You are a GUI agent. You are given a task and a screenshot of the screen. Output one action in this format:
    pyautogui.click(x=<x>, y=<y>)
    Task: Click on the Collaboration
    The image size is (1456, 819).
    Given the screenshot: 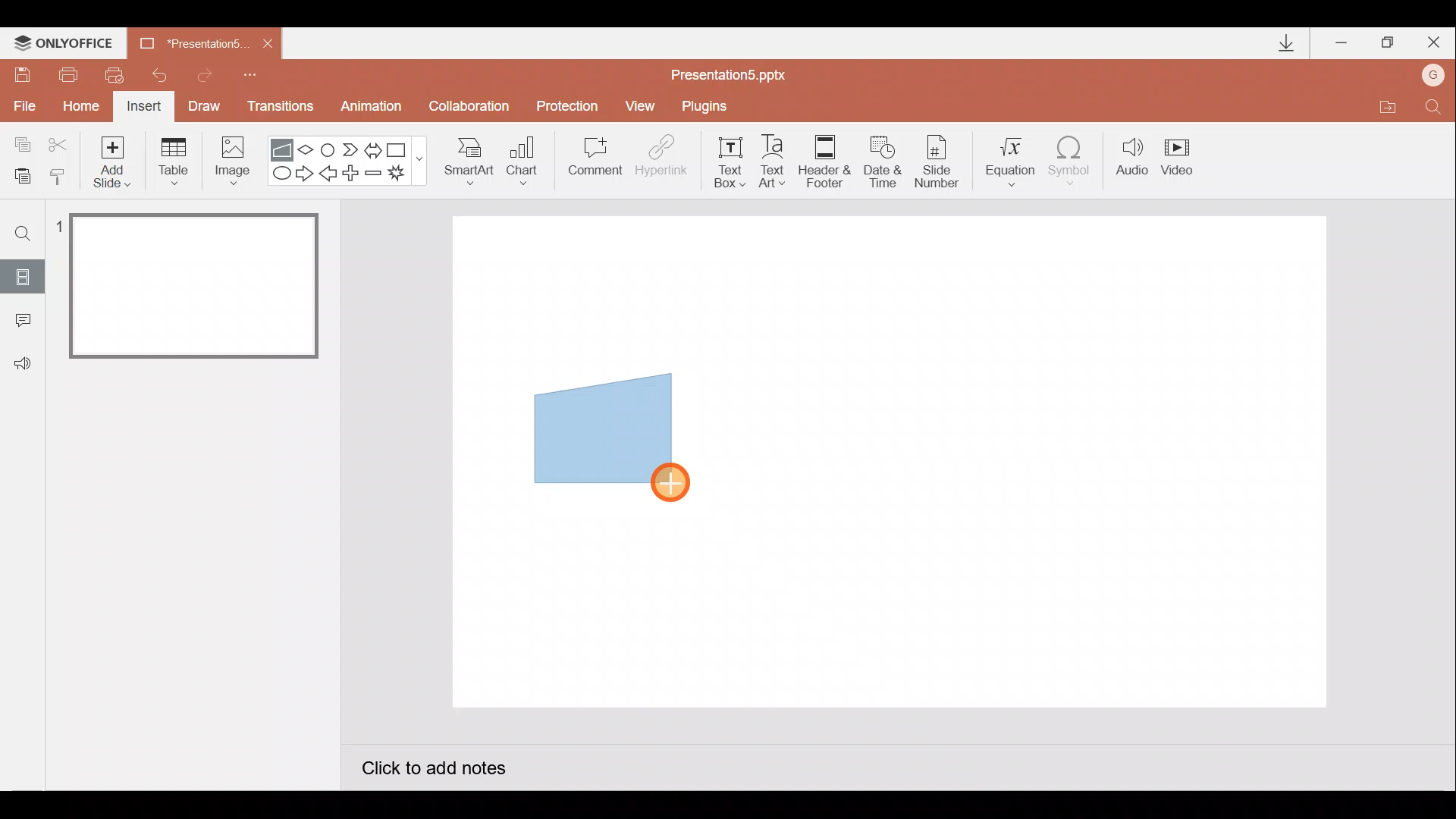 What is the action you would take?
    pyautogui.click(x=472, y=108)
    